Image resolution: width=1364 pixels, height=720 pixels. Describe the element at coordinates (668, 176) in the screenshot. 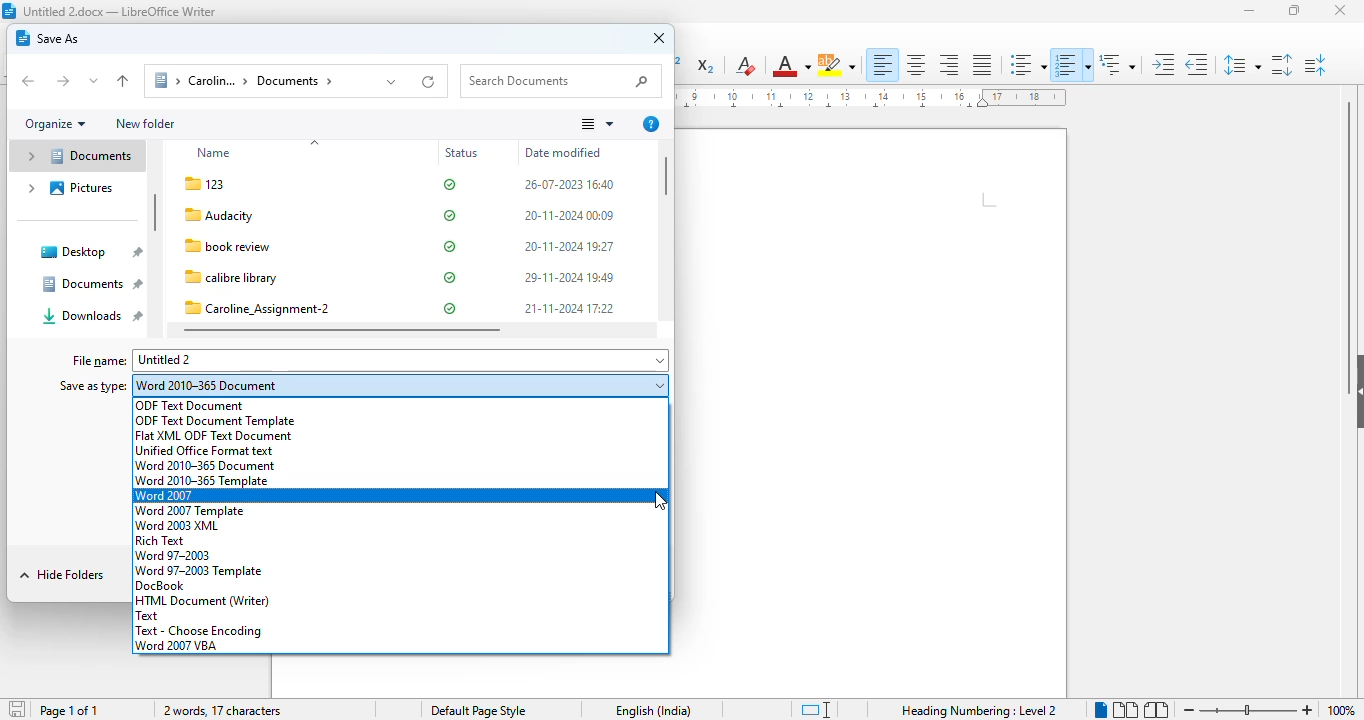

I see `vertical scroll bar` at that location.